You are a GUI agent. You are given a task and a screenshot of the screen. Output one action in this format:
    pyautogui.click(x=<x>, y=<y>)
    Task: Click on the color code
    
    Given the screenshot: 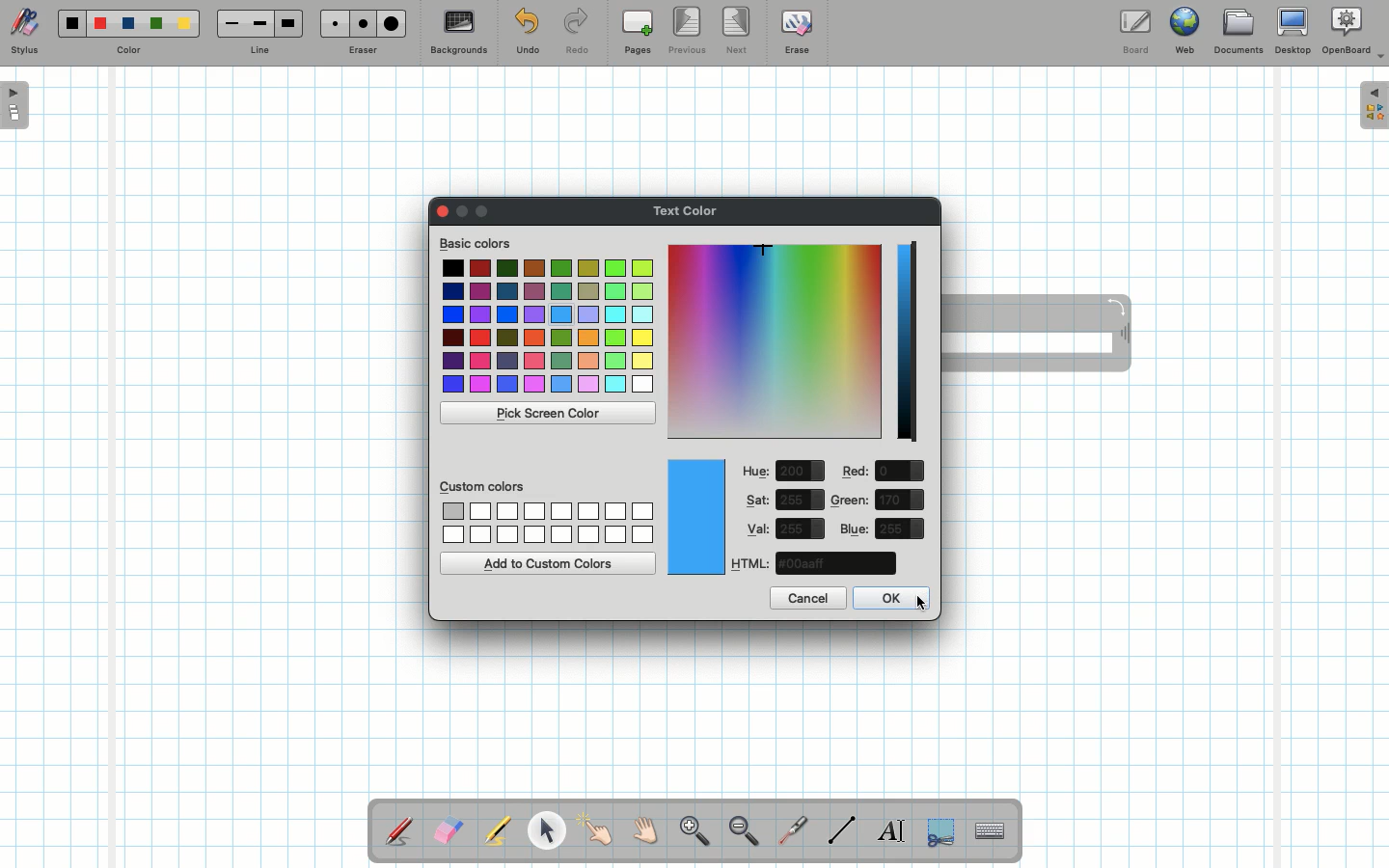 What is the action you would take?
    pyautogui.click(x=834, y=563)
    